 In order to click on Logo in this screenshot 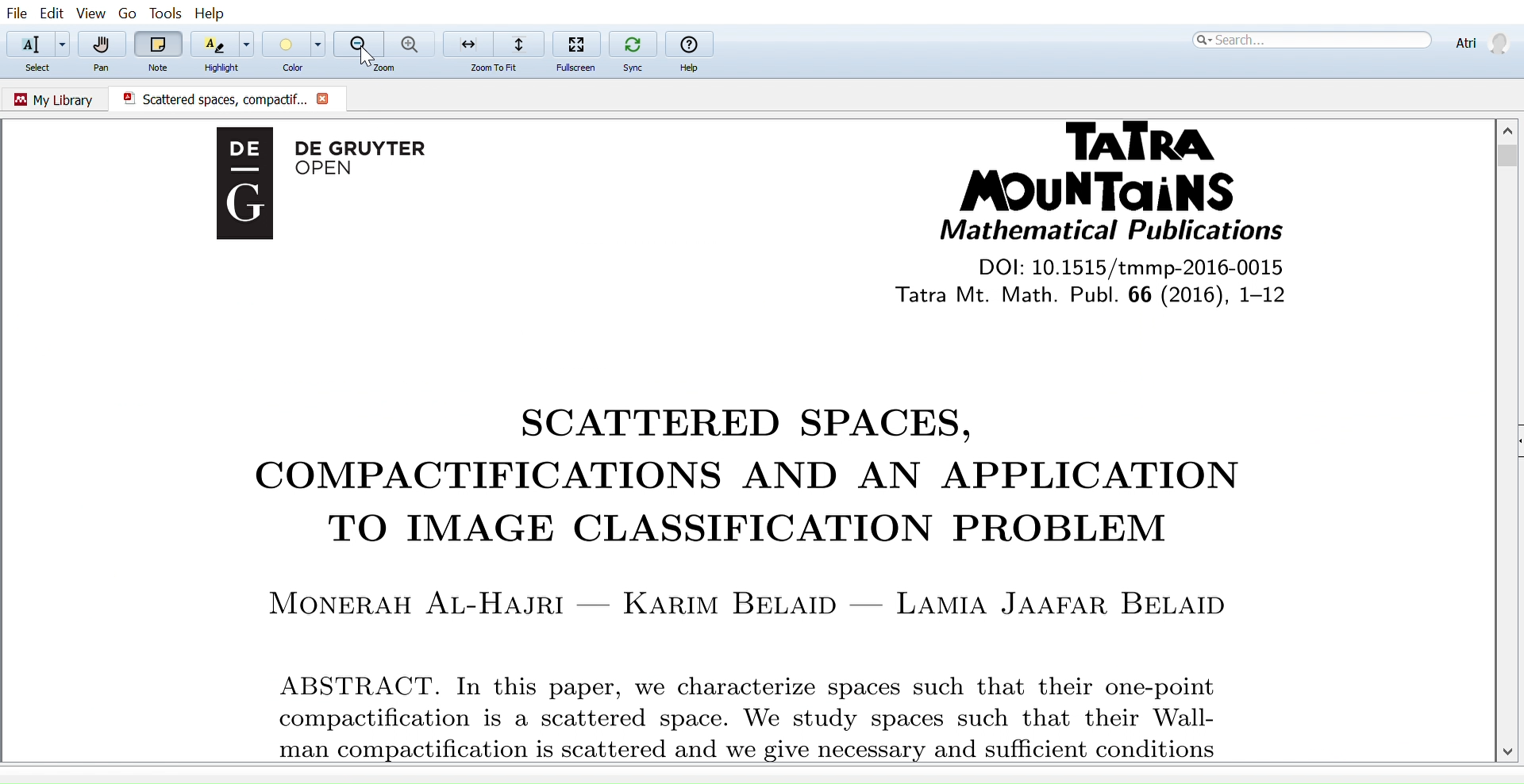, I will do `click(247, 183)`.